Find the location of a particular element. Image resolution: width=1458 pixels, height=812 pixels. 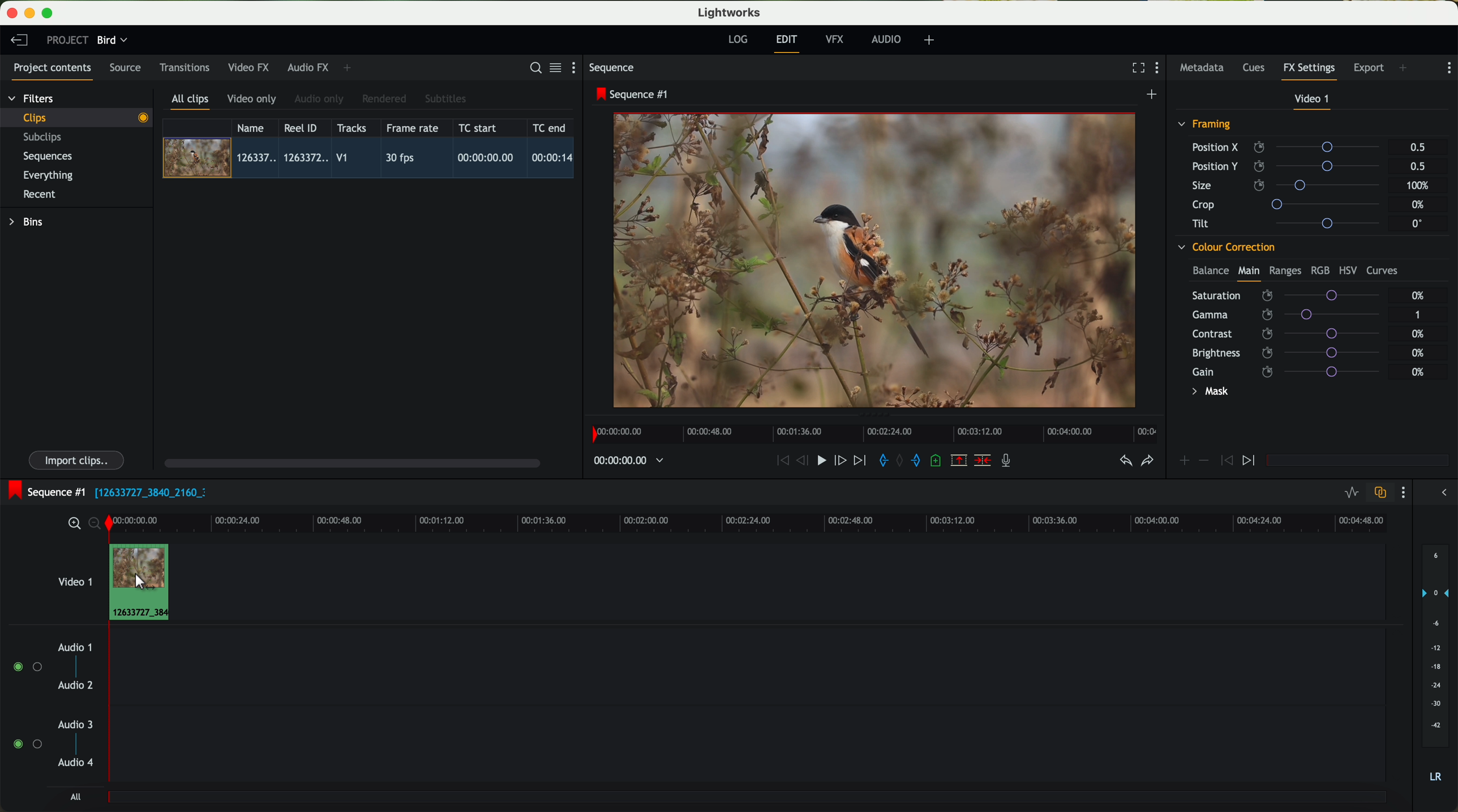

rewind is located at coordinates (782, 461).